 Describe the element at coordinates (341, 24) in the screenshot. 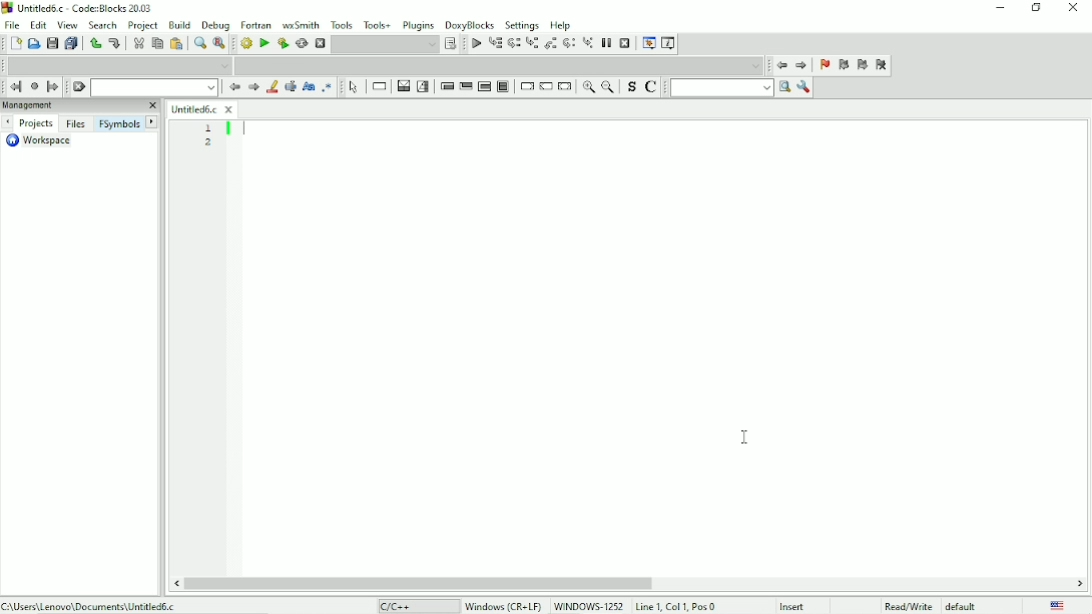

I see `Tools` at that location.